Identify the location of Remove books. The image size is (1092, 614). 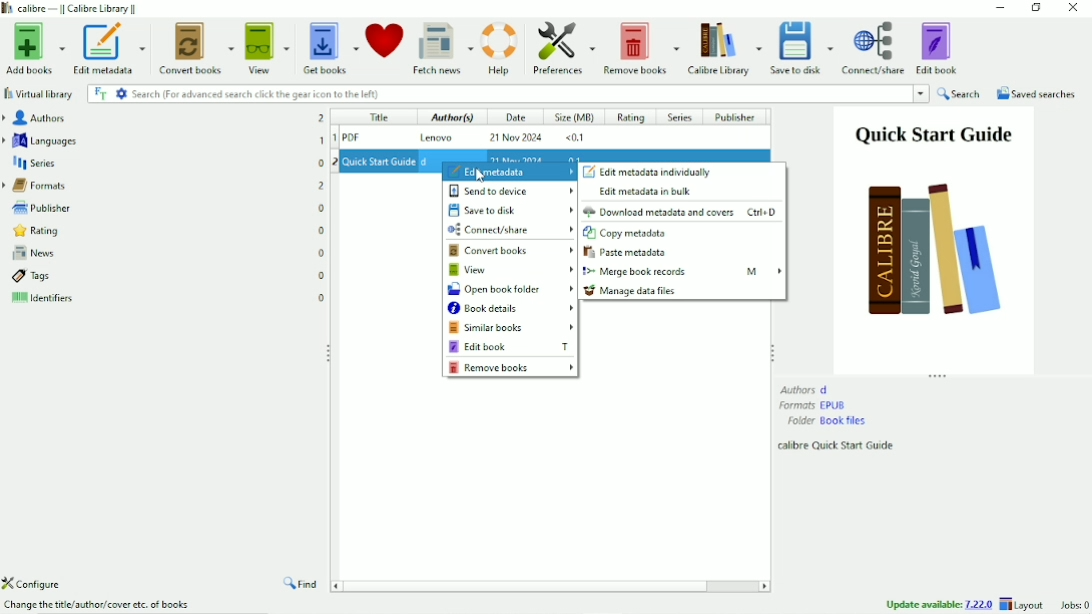
(640, 47).